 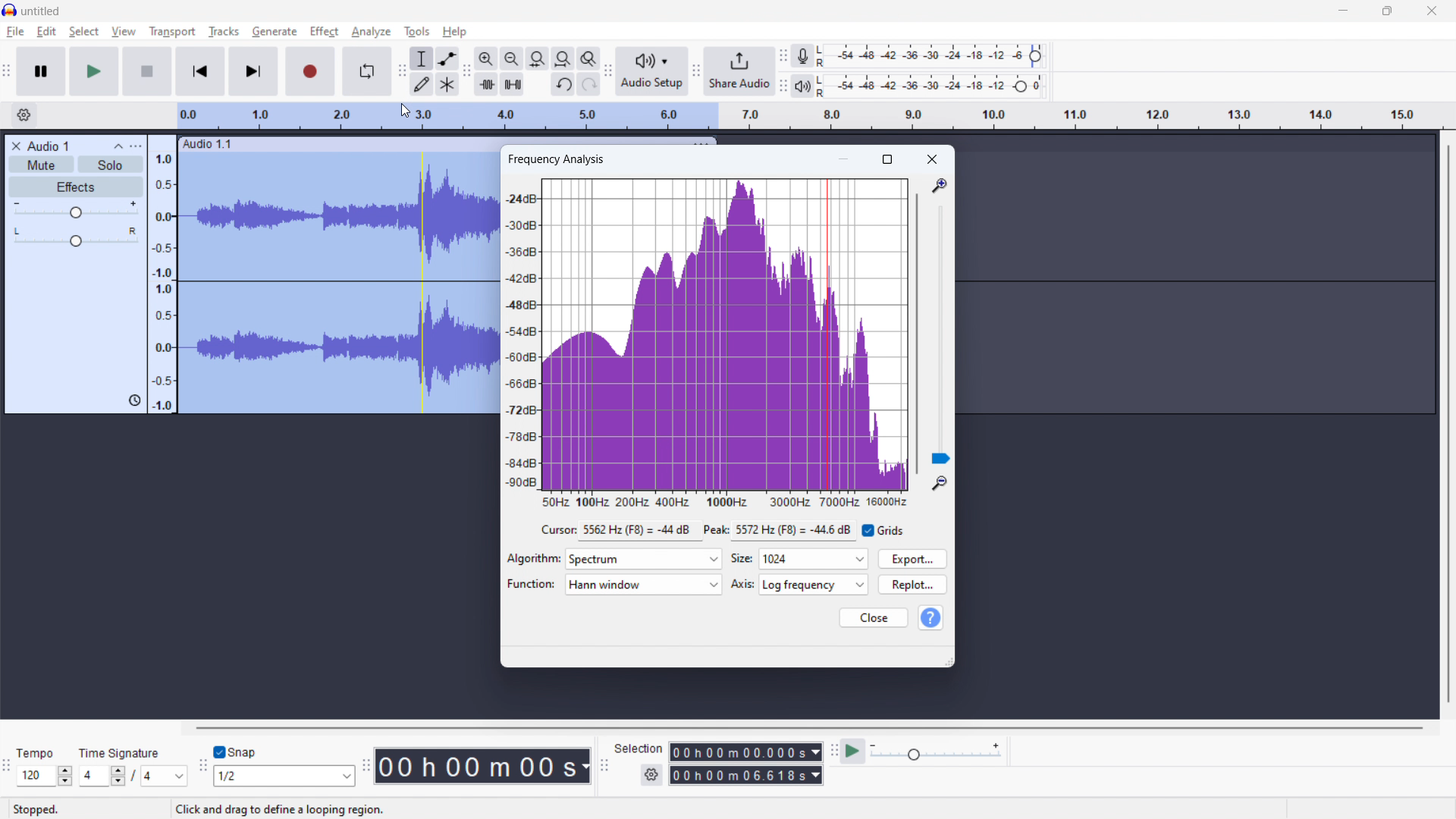 What do you see at coordinates (95, 71) in the screenshot?
I see `play` at bounding box center [95, 71].